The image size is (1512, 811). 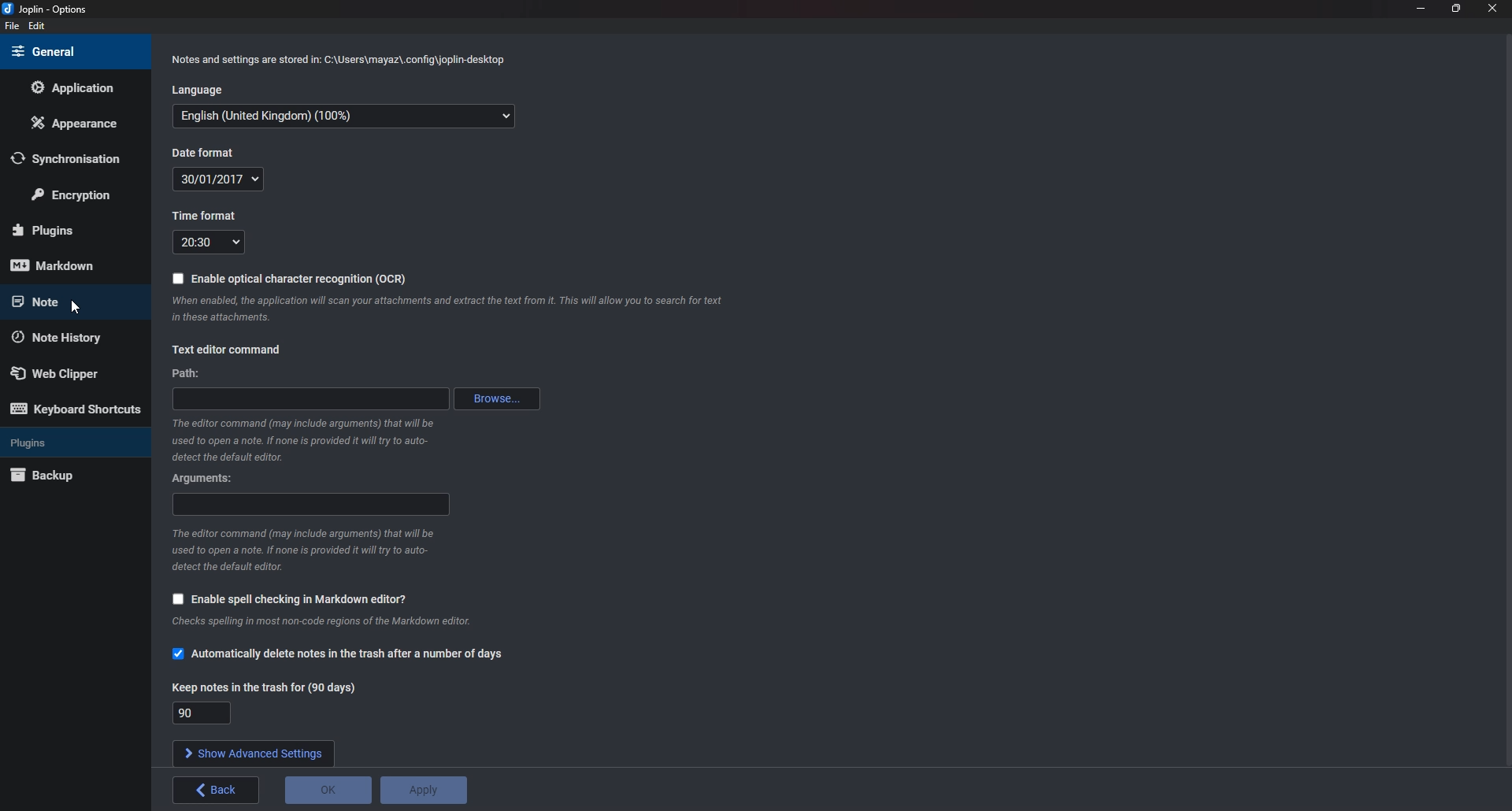 What do you see at coordinates (77, 123) in the screenshot?
I see `Appearance` at bounding box center [77, 123].